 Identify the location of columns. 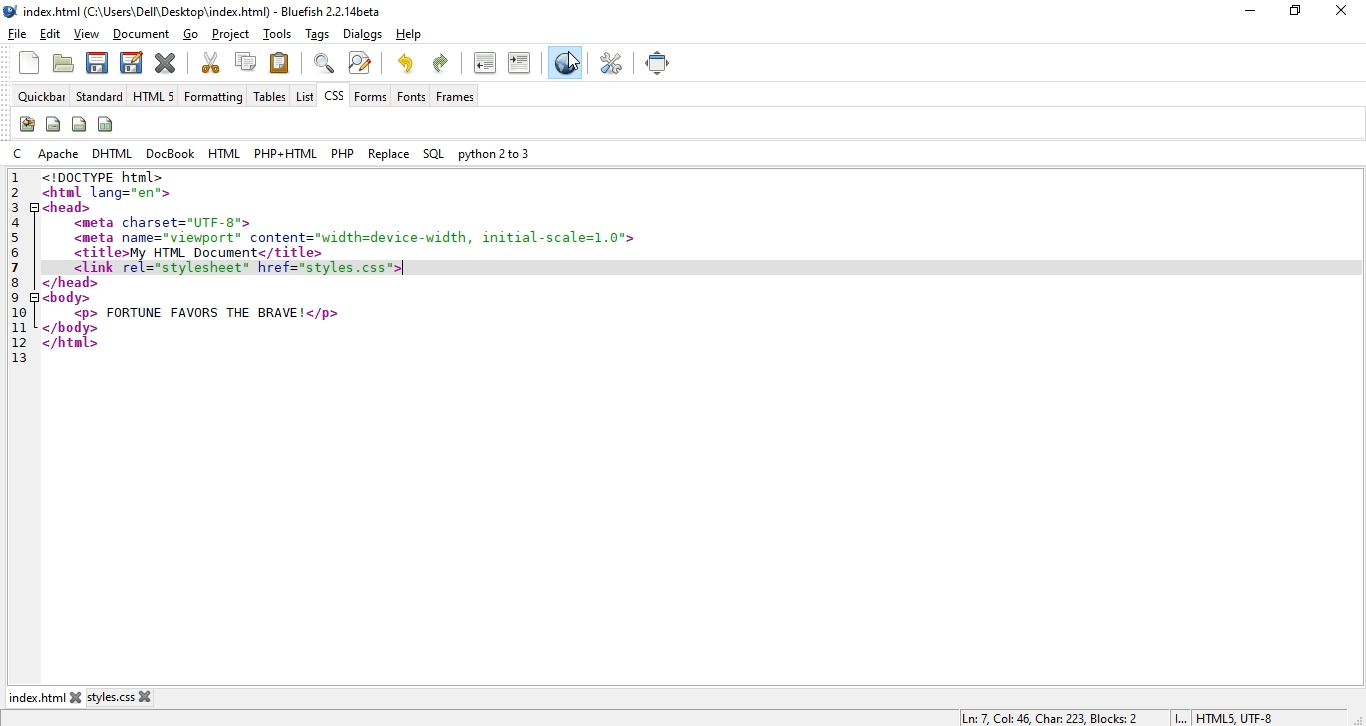
(107, 124).